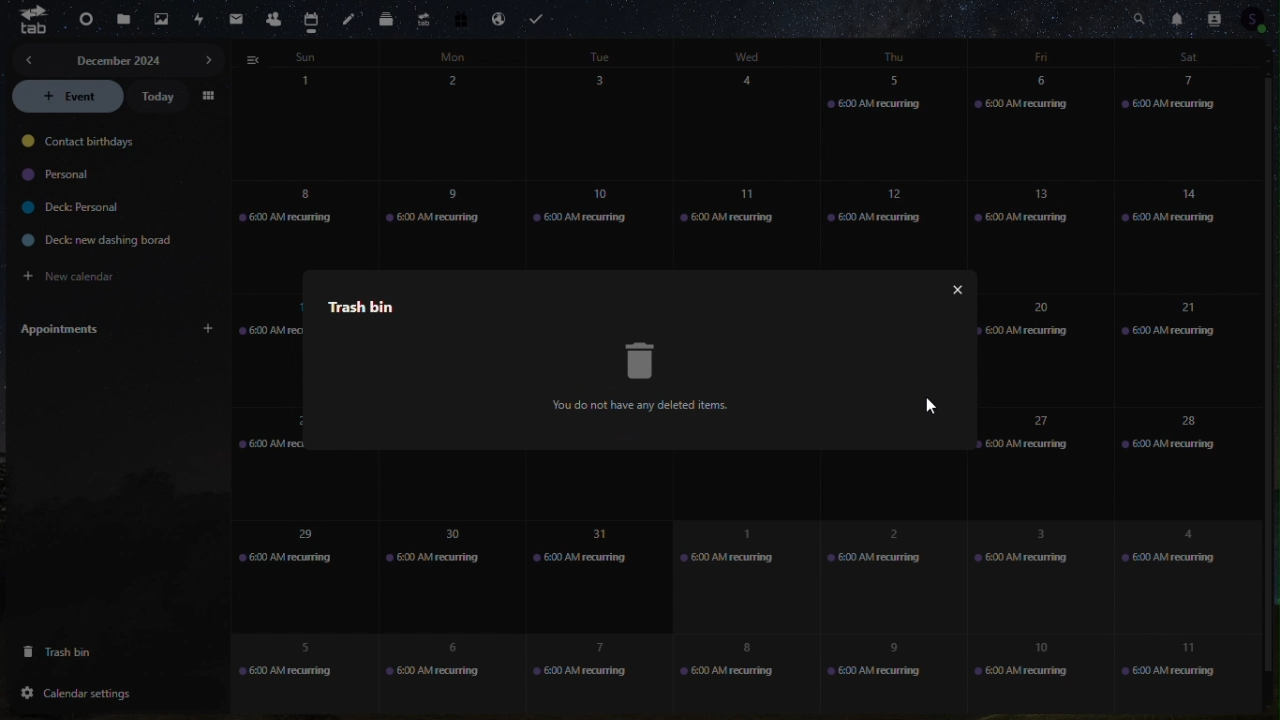 The width and height of the screenshot is (1280, 720). I want to click on 8, so click(286, 212).